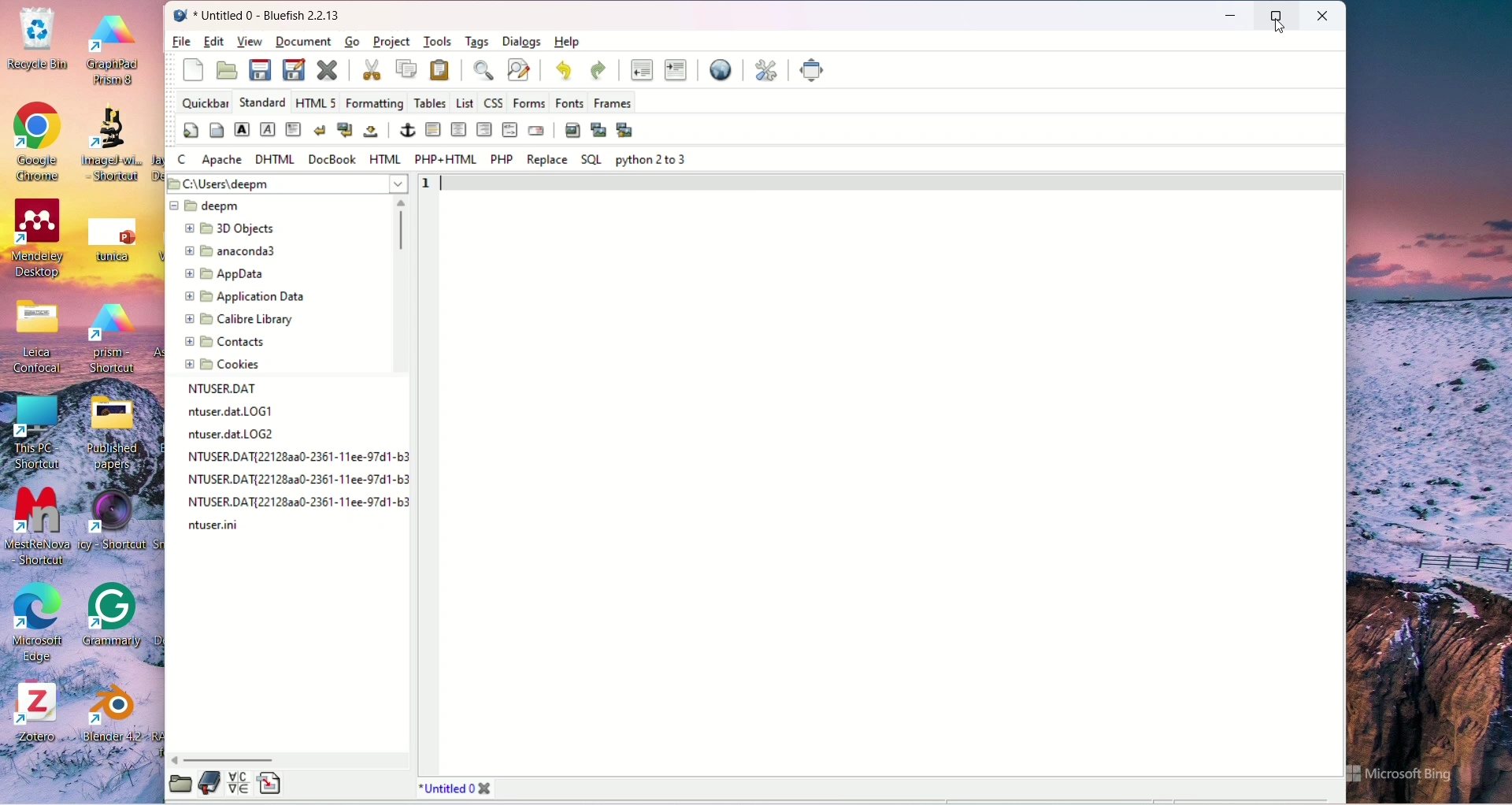 The height and width of the screenshot is (805, 1512). I want to click on file, so click(181, 43).